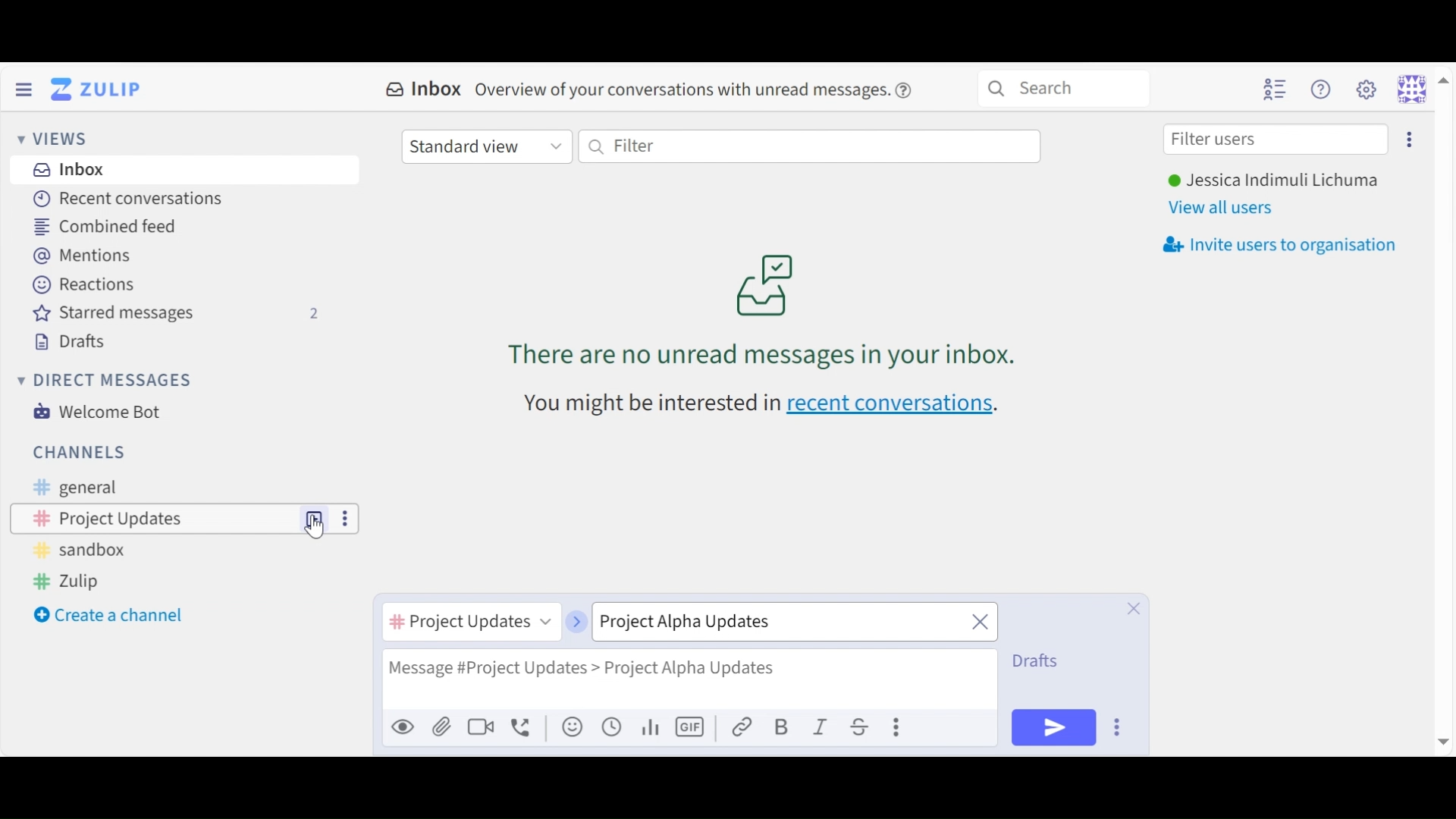 This screenshot has width=1456, height=819. What do you see at coordinates (108, 381) in the screenshot?
I see `Direct Messages` at bounding box center [108, 381].